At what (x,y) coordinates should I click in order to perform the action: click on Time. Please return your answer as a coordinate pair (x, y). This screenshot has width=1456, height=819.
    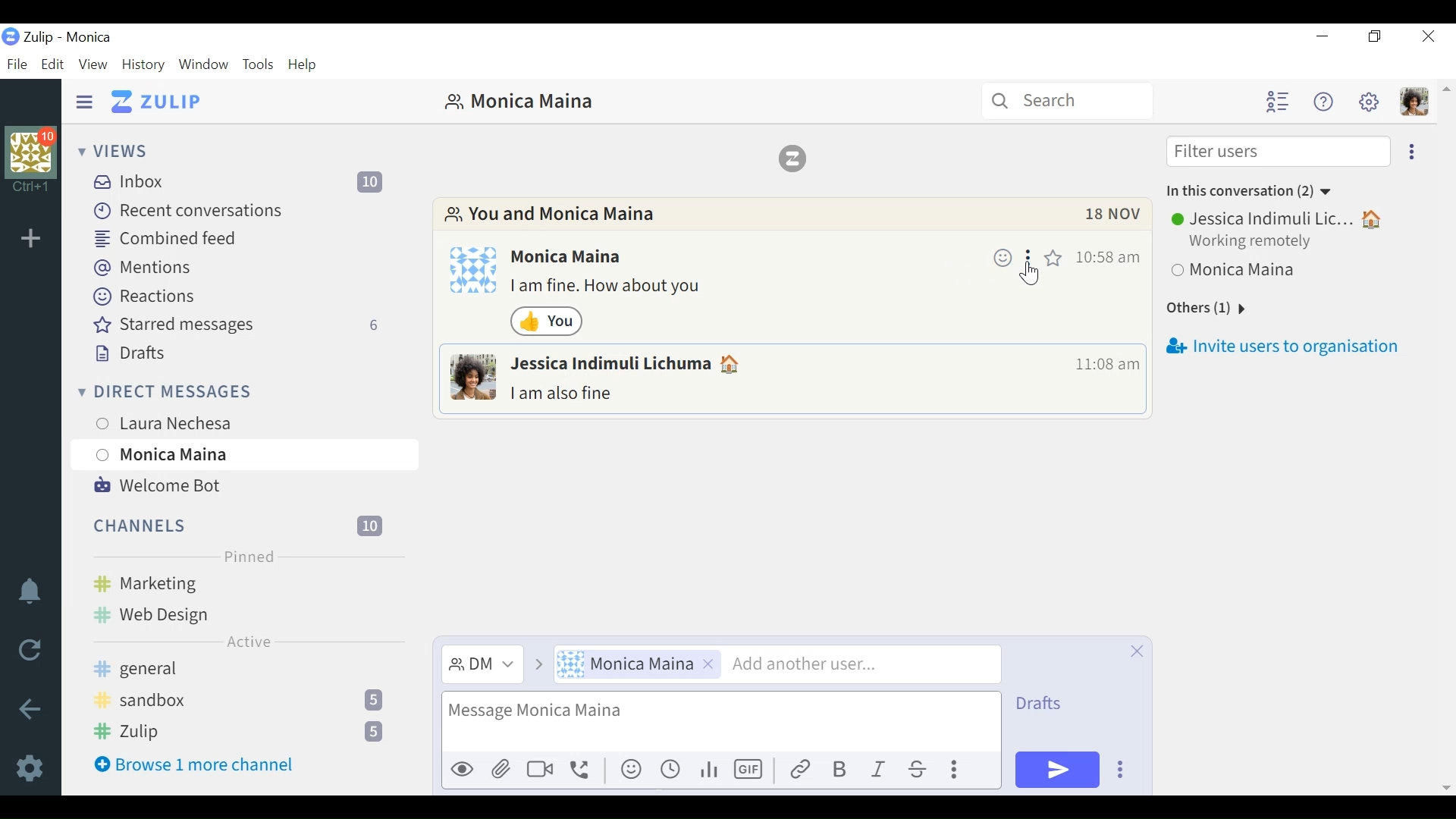
    Looking at the image, I should click on (1106, 257).